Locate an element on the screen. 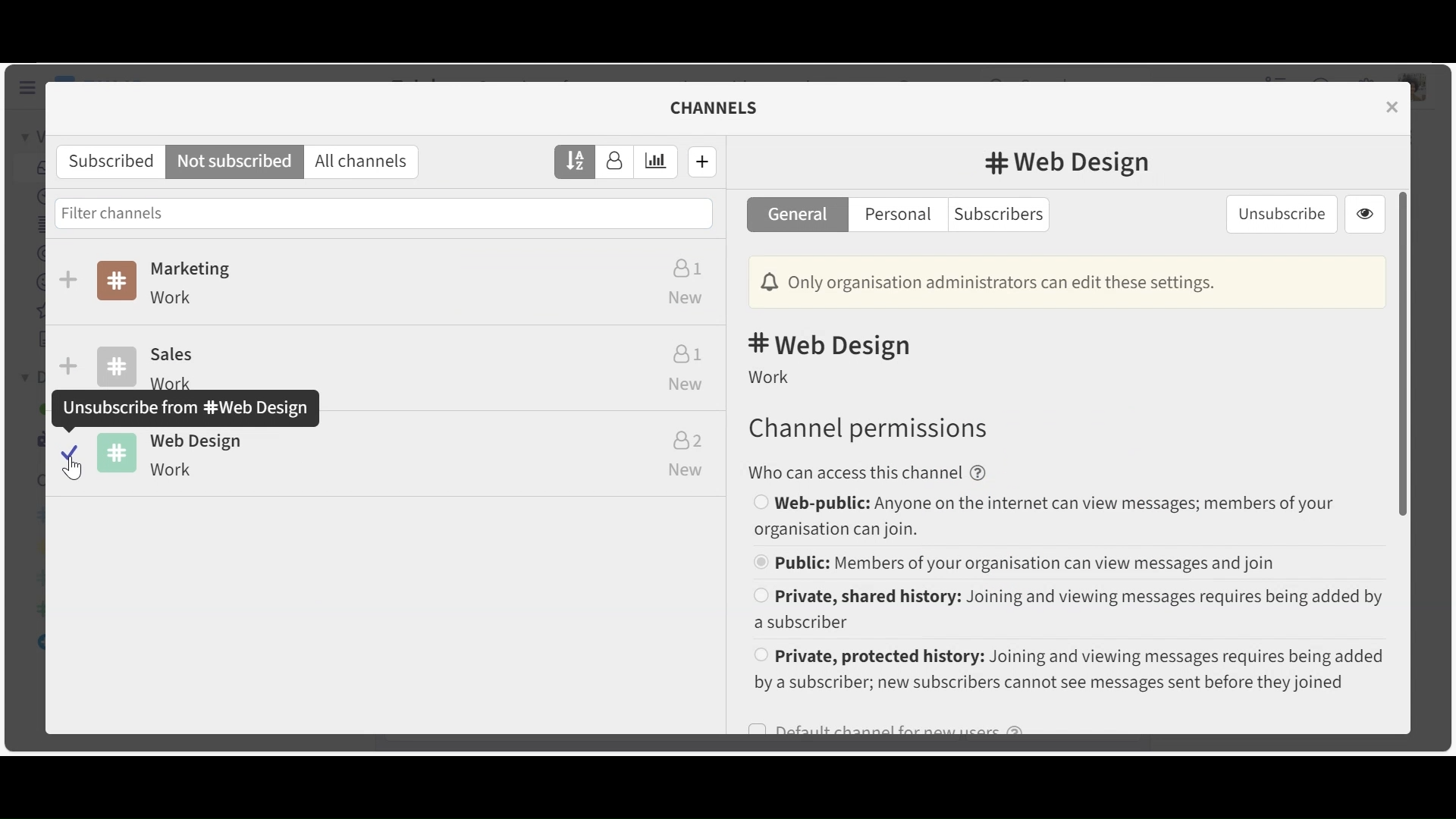 The height and width of the screenshot is (819, 1456). Create a new channel is located at coordinates (702, 162).